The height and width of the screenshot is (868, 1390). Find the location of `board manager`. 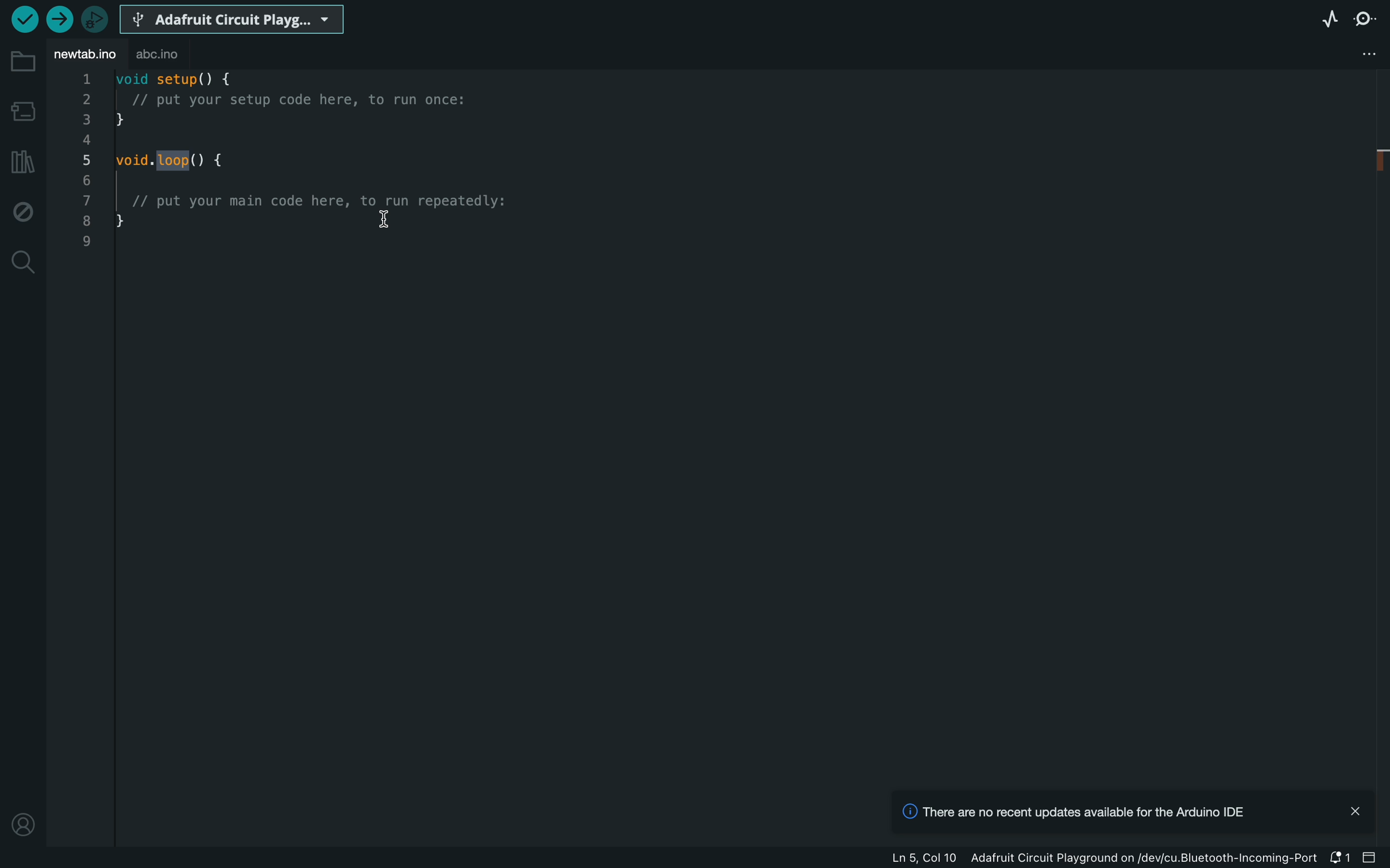

board manager is located at coordinates (24, 110).